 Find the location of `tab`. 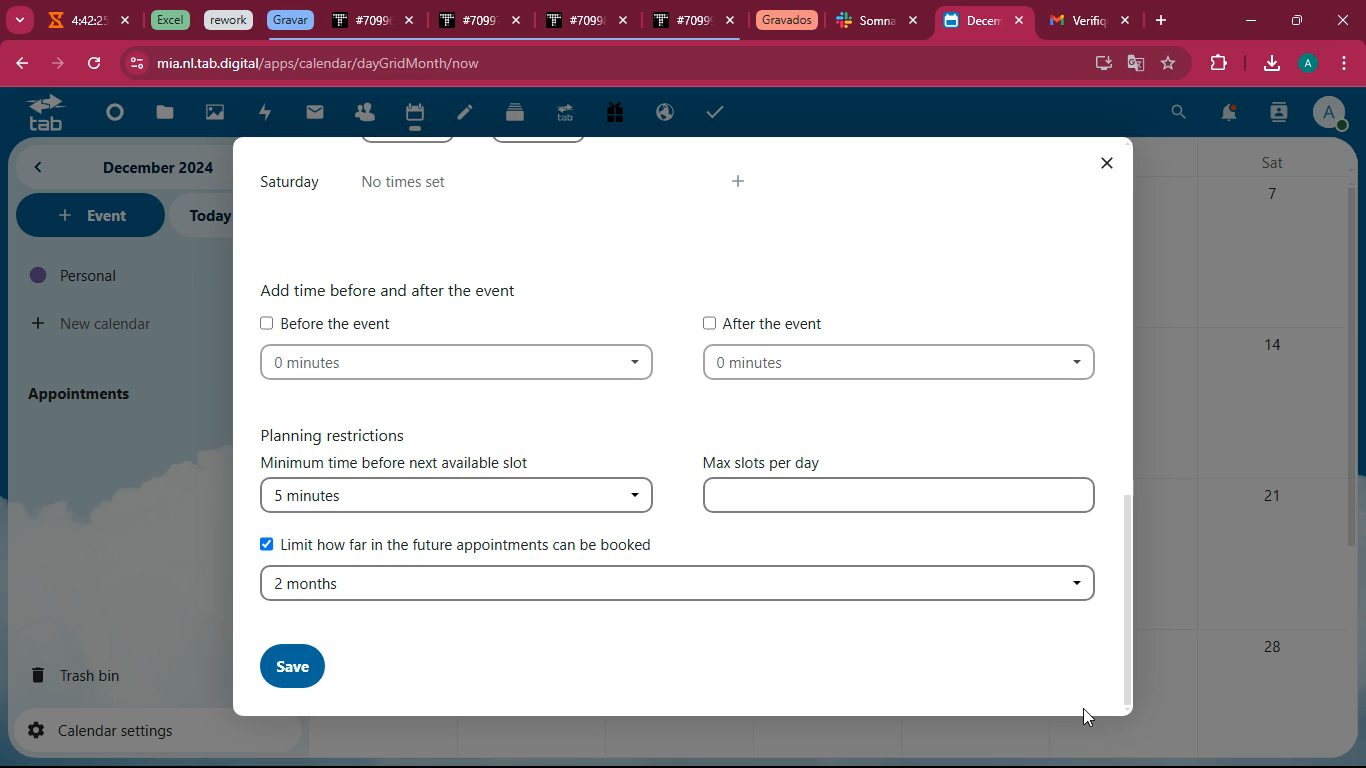

tab is located at coordinates (564, 116).